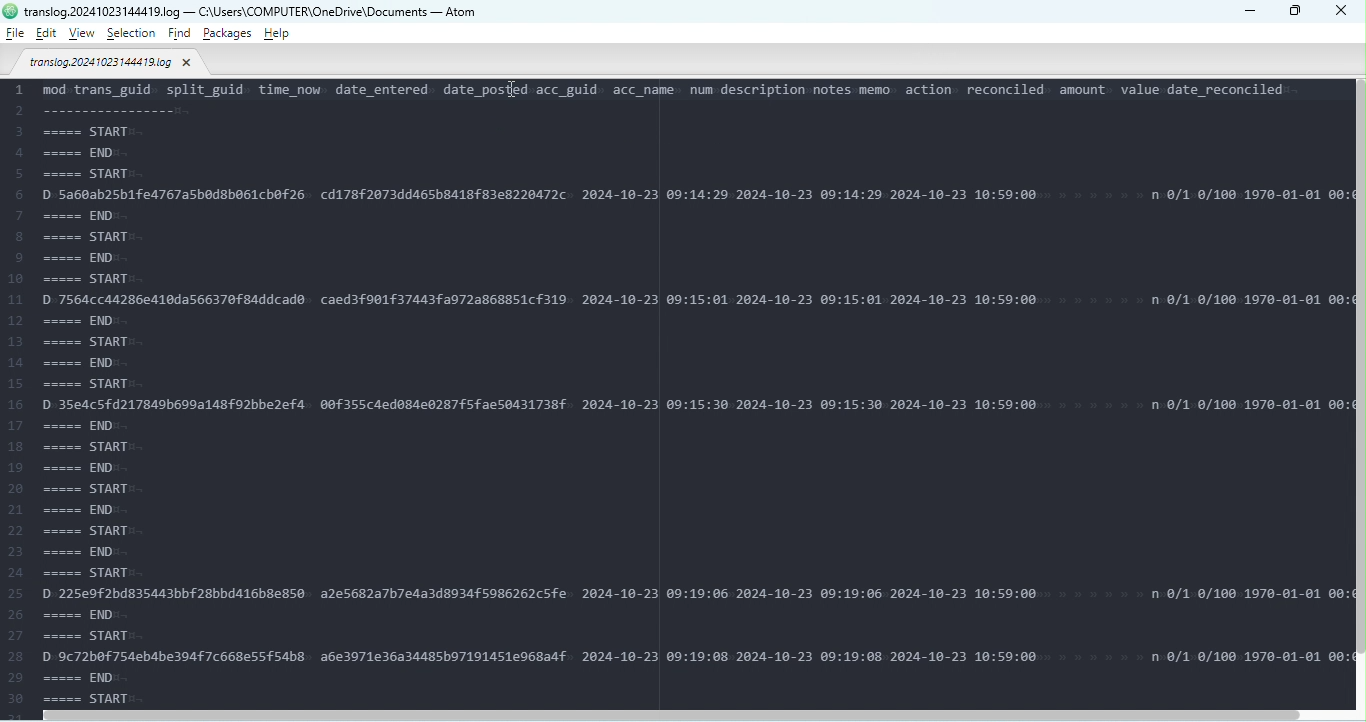 The height and width of the screenshot is (722, 1366). What do you see at coordinates (133, 34) in the screenshot?
I see `Selection` at bounding box center [133, 34].